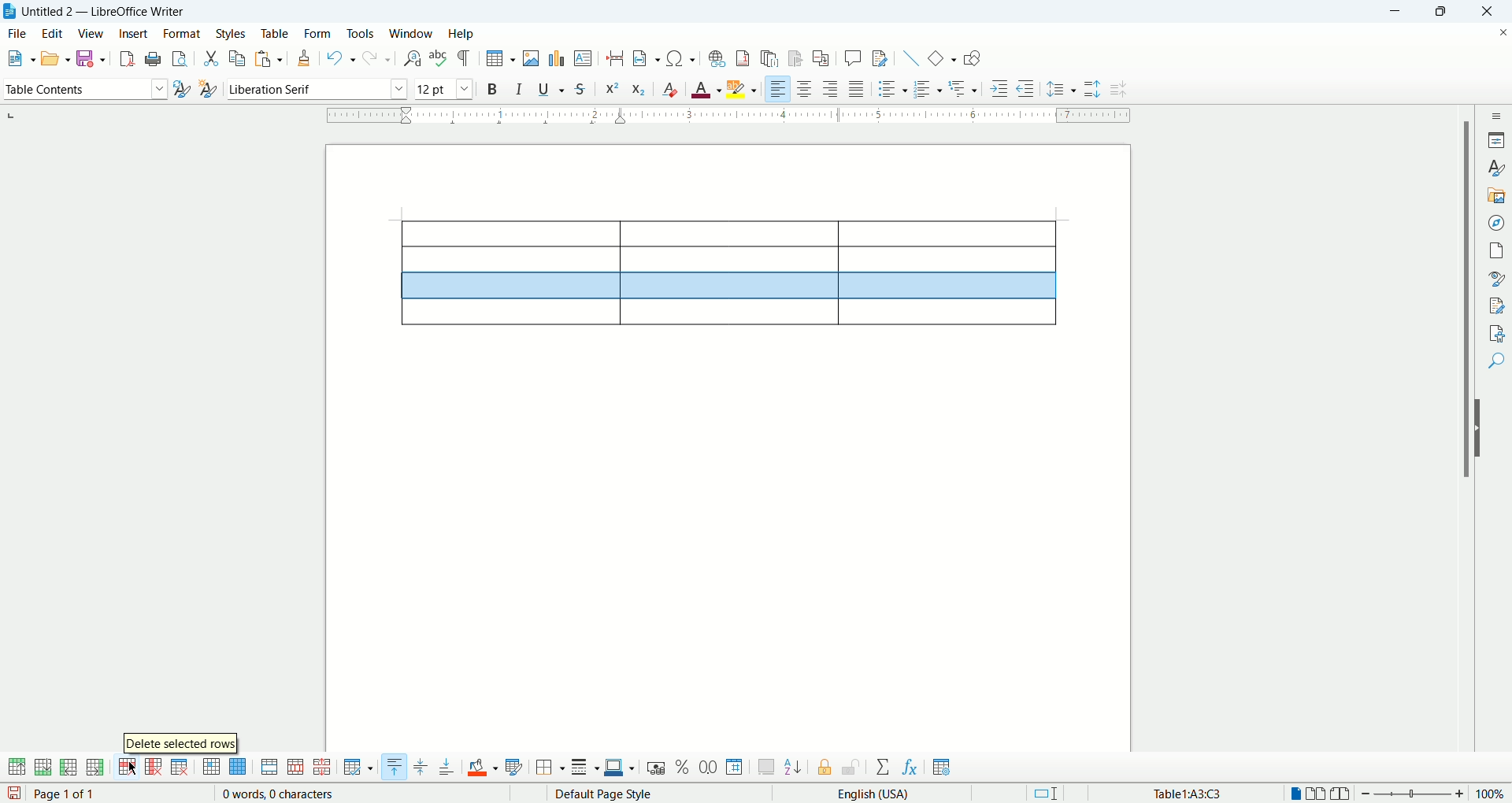  What do you see at coordinates (736, 769) in the screenshot?
I see `number format` at bounding box center [736, 769].